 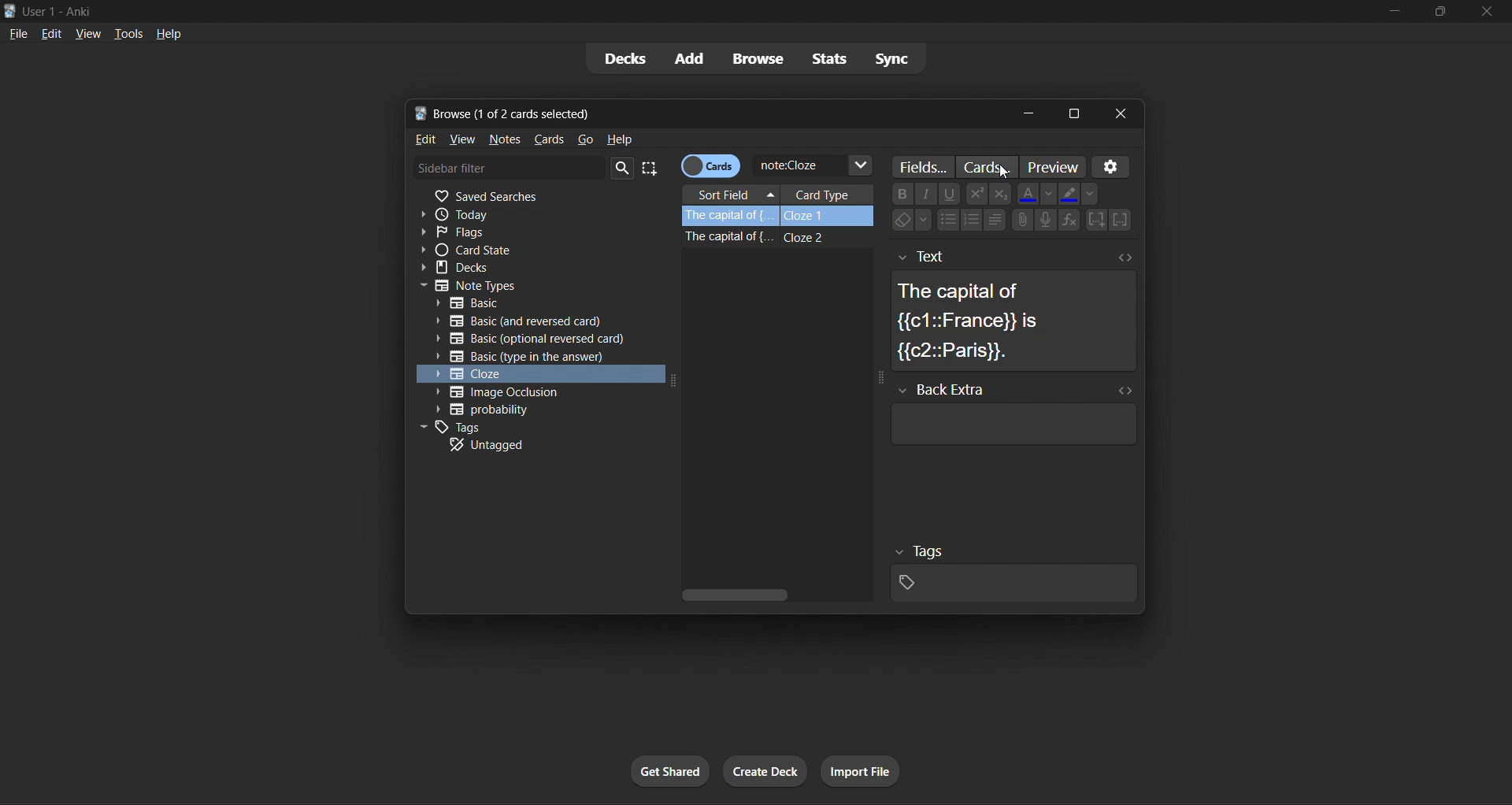 I want to click on view, so click(x=89, y=32).